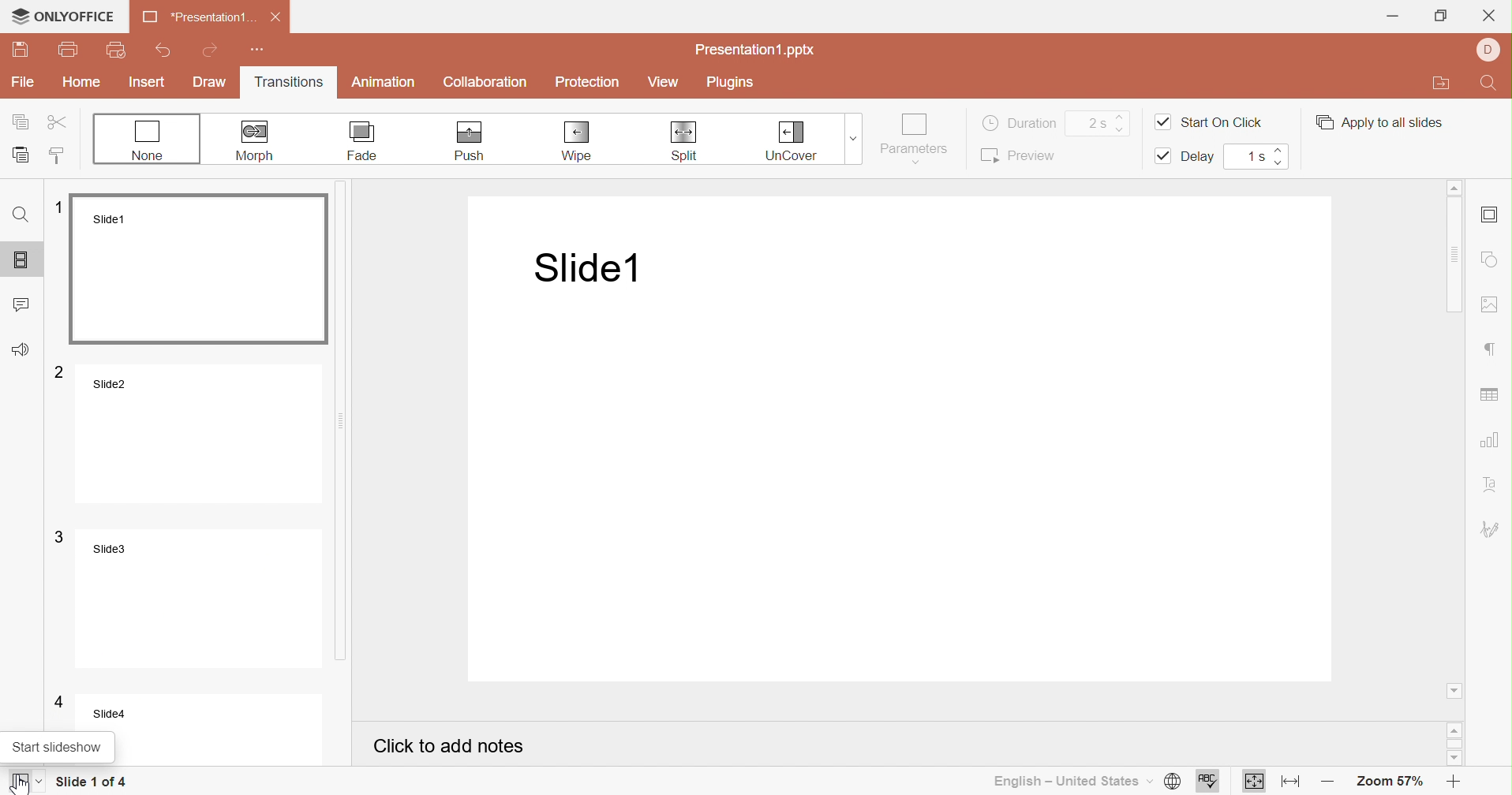 The image size is (1512, 795). I want to click on 2s, so click(1095, 123).